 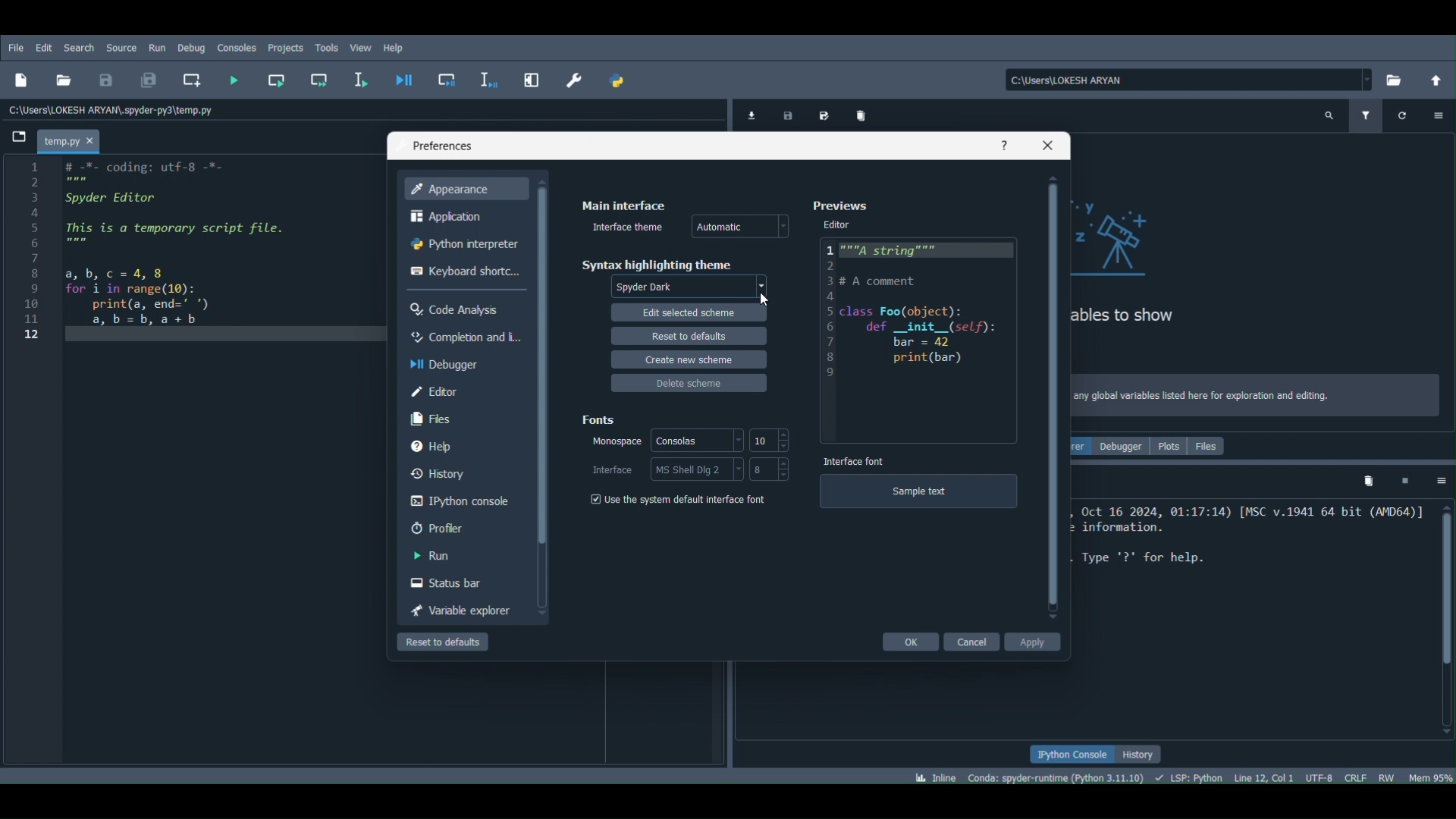 I want to click on Theme, so click(x=688, y=290).